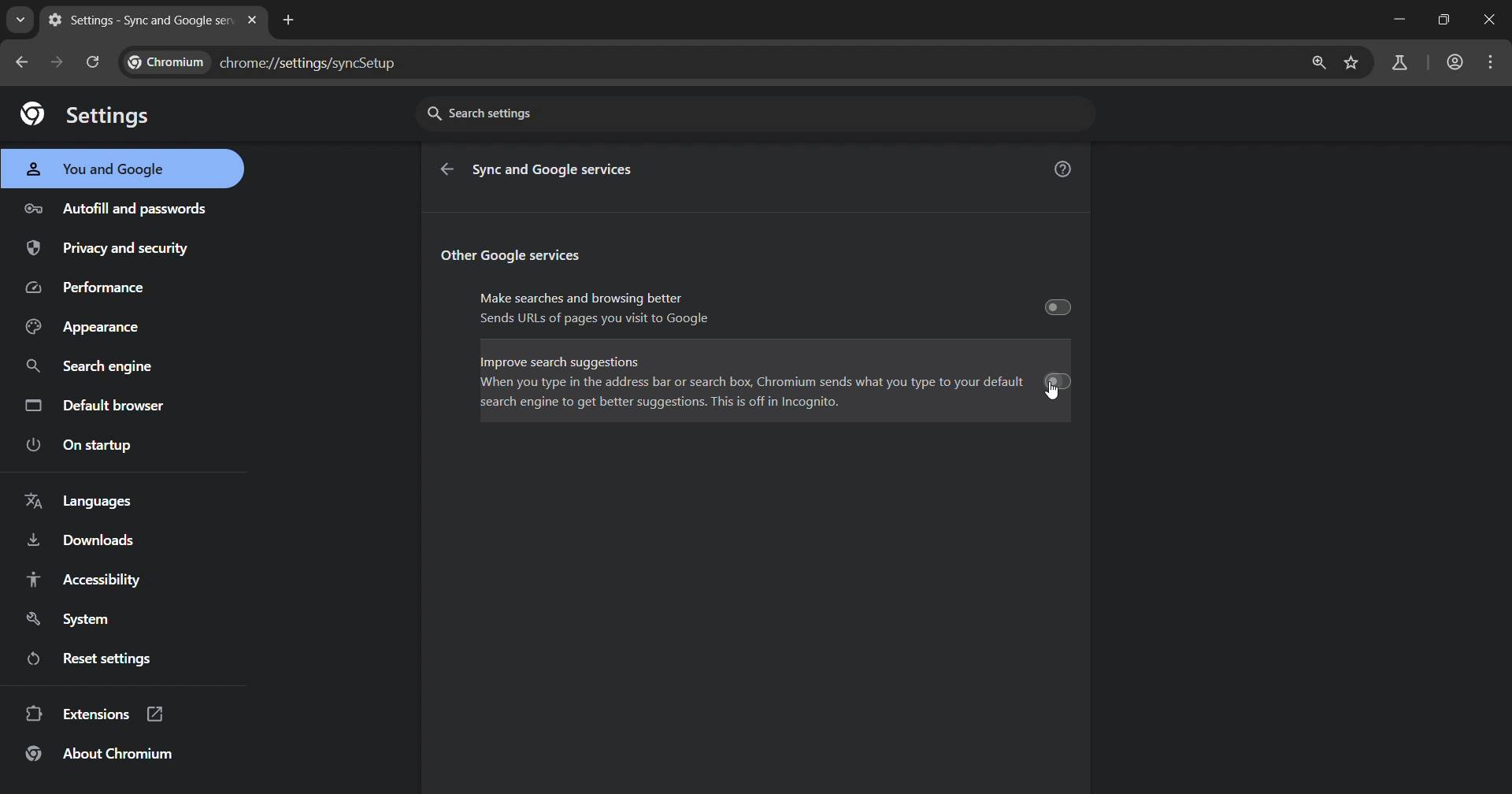 Image resolution: width=1512 pixels, height=794 pixels. Describe the element at coordinates (1492, 21) in the screenshot. I see `remove` at that location.